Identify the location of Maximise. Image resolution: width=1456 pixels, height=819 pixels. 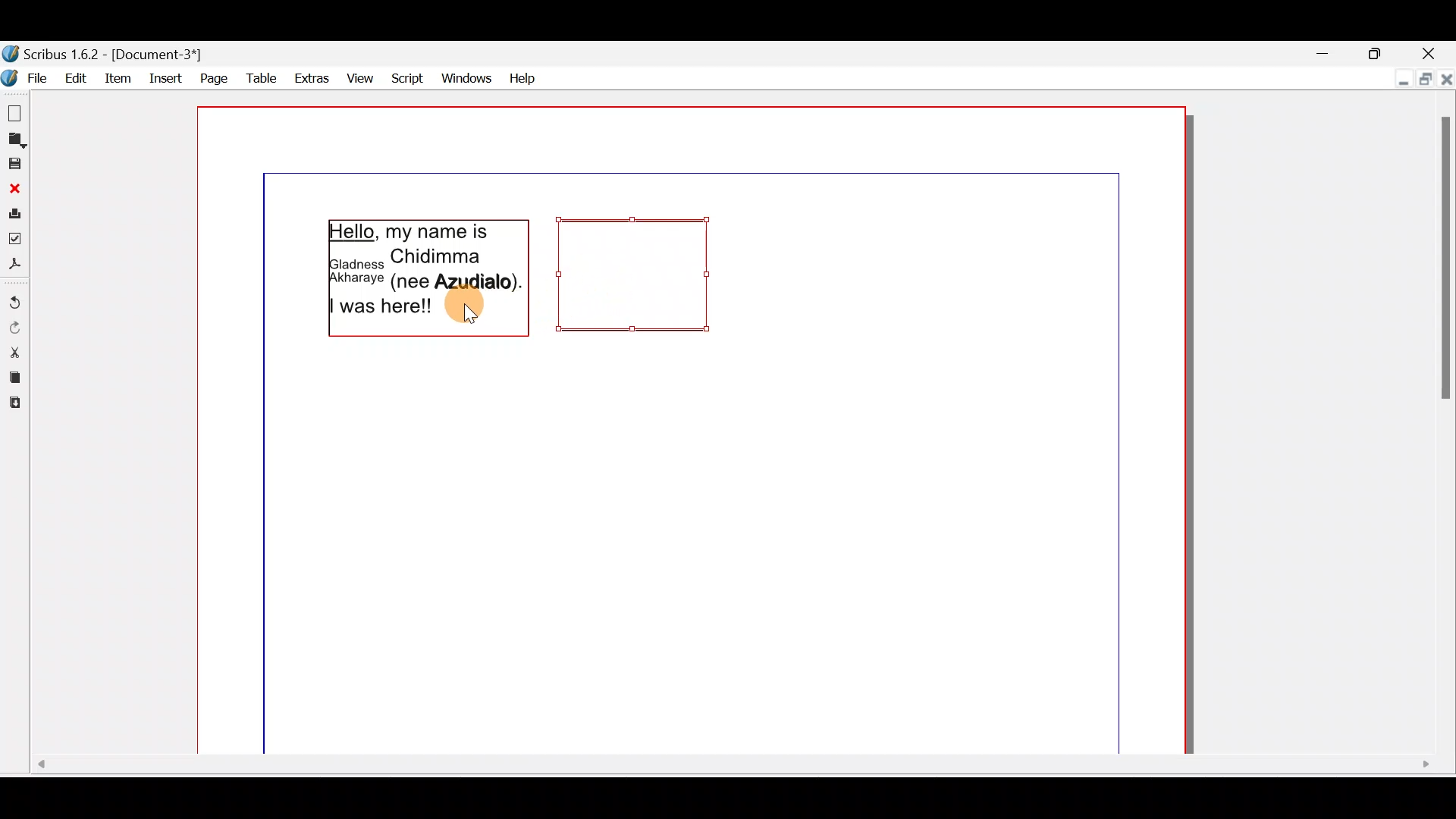
(1422, 78).